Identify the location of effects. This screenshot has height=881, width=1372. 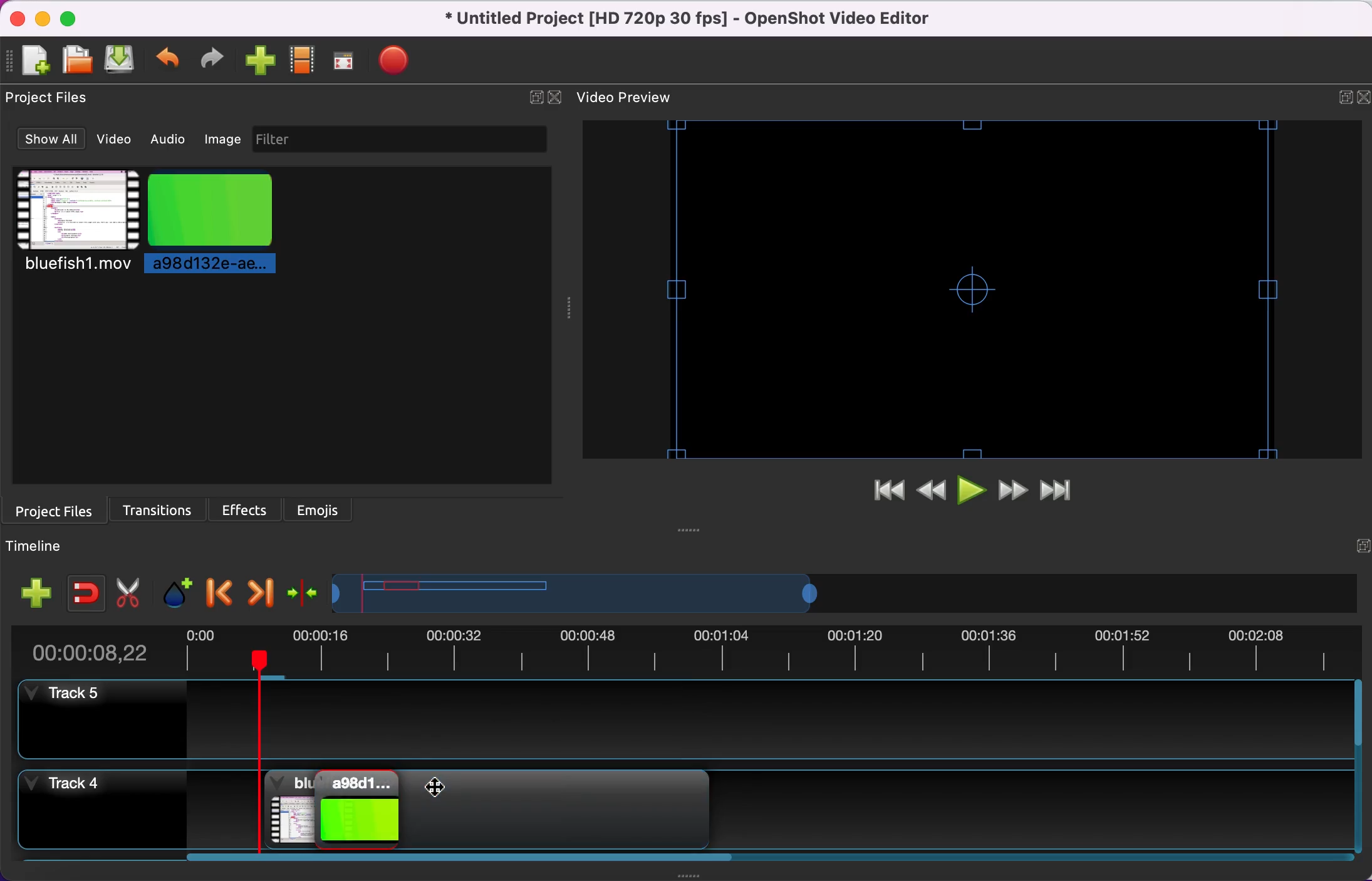
(245, 509).